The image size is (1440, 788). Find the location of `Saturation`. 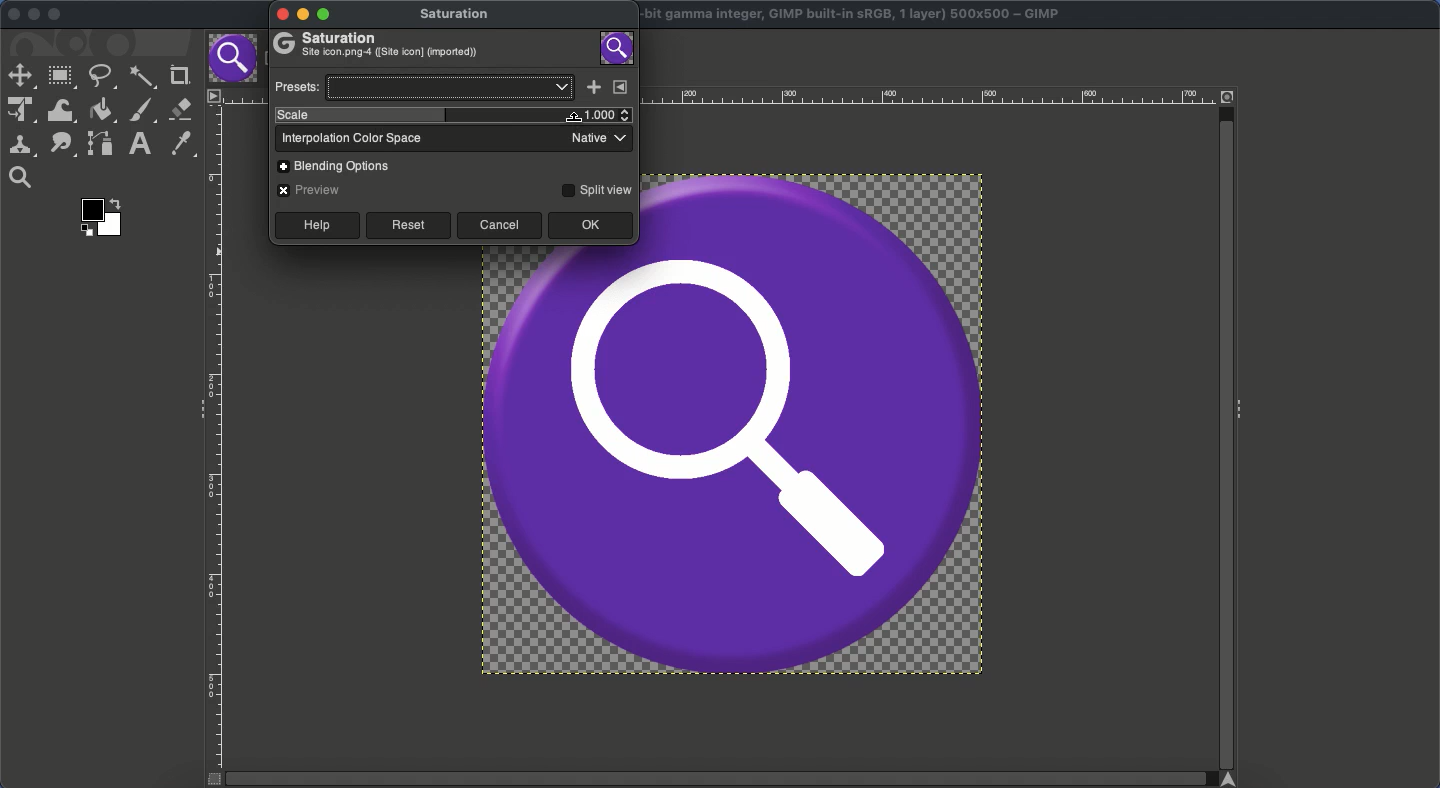

Saturation is located at coordinates (458, 16).